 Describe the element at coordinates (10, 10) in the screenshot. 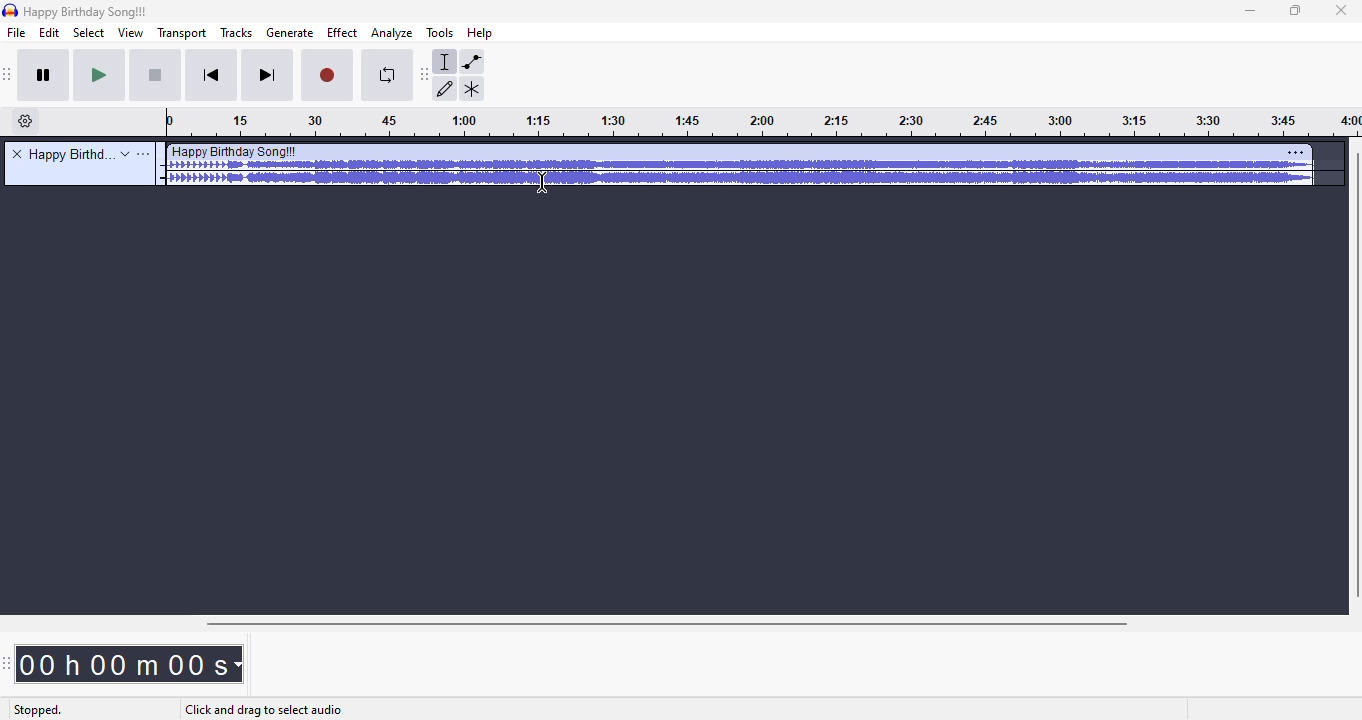

I see `logo` at that location.